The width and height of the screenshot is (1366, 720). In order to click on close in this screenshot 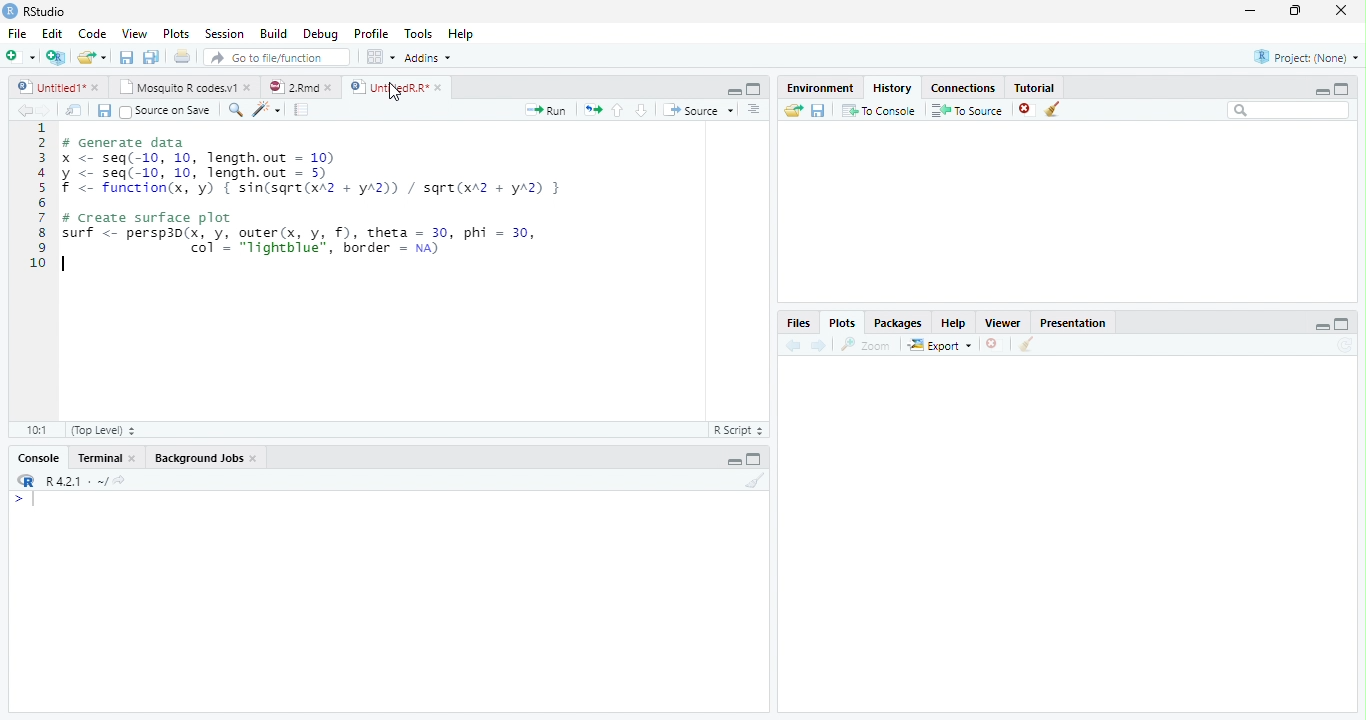, I will do `click(248, 87)`.